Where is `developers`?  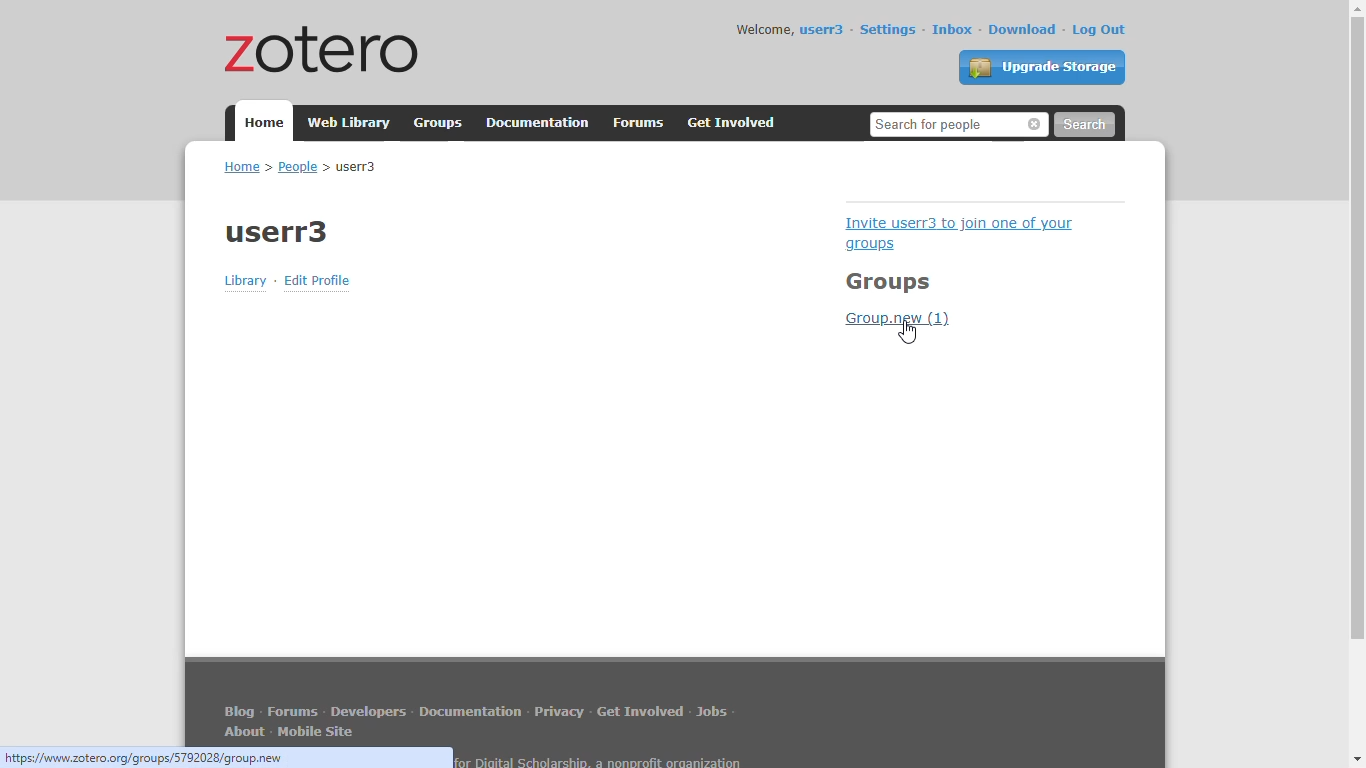 developers is located at coordinates (368, 711).